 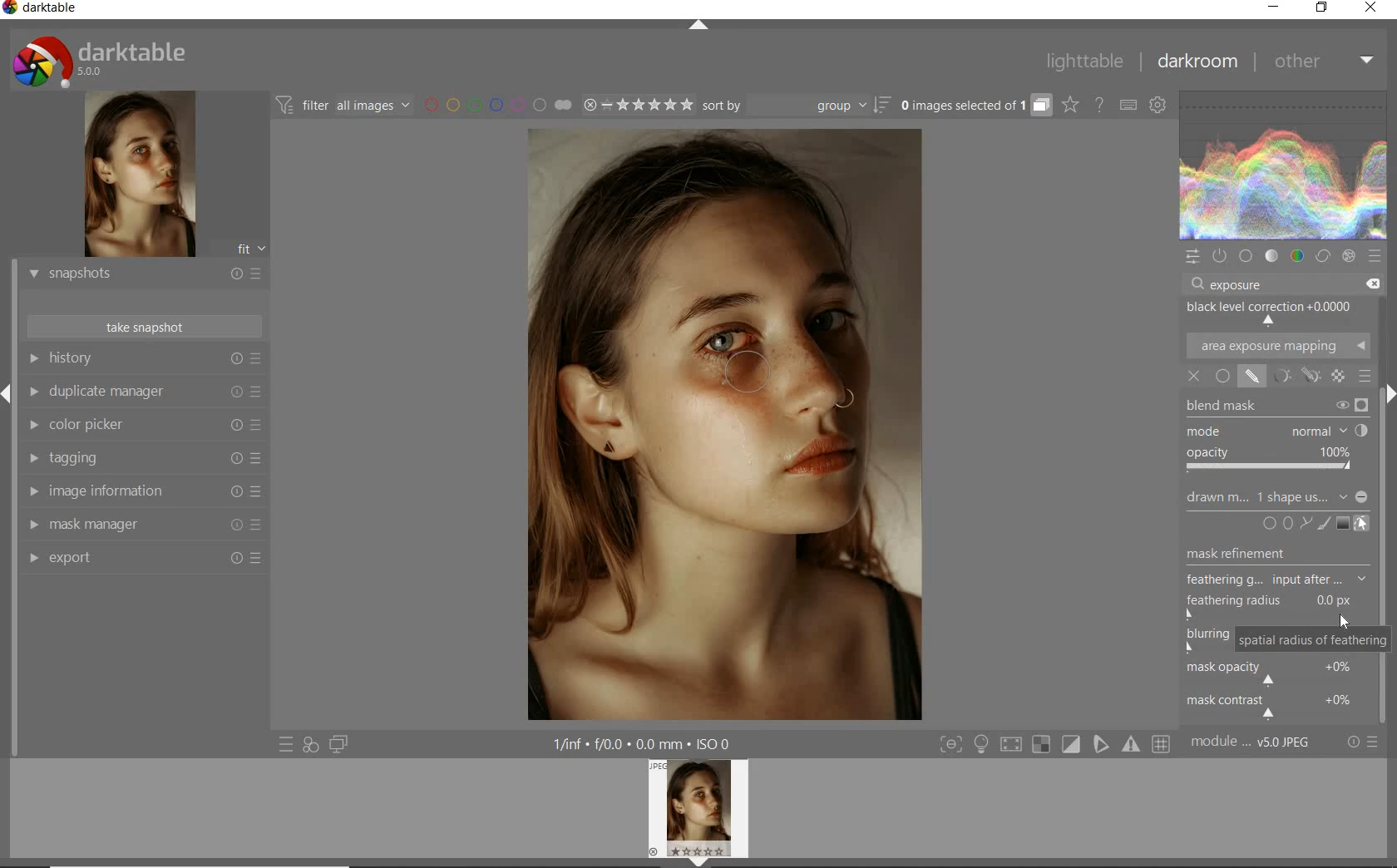 What do you see at coordinates (1276, 580) in the screenshot?
I see `FEATHERING G...input after` at bounding box center [1276, 580].